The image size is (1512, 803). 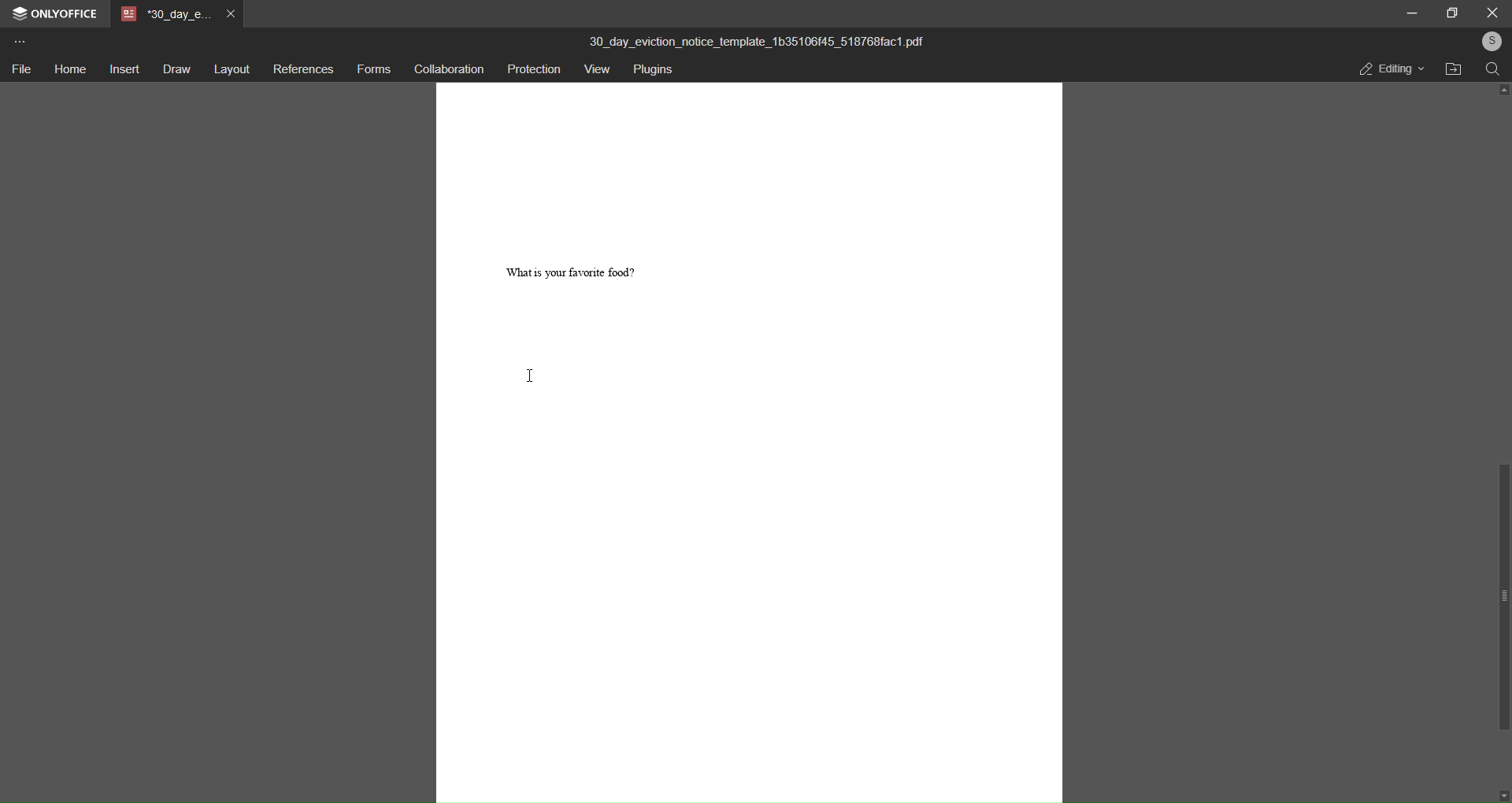 I want to click on scroll bar, so click(x=1503, y=597).